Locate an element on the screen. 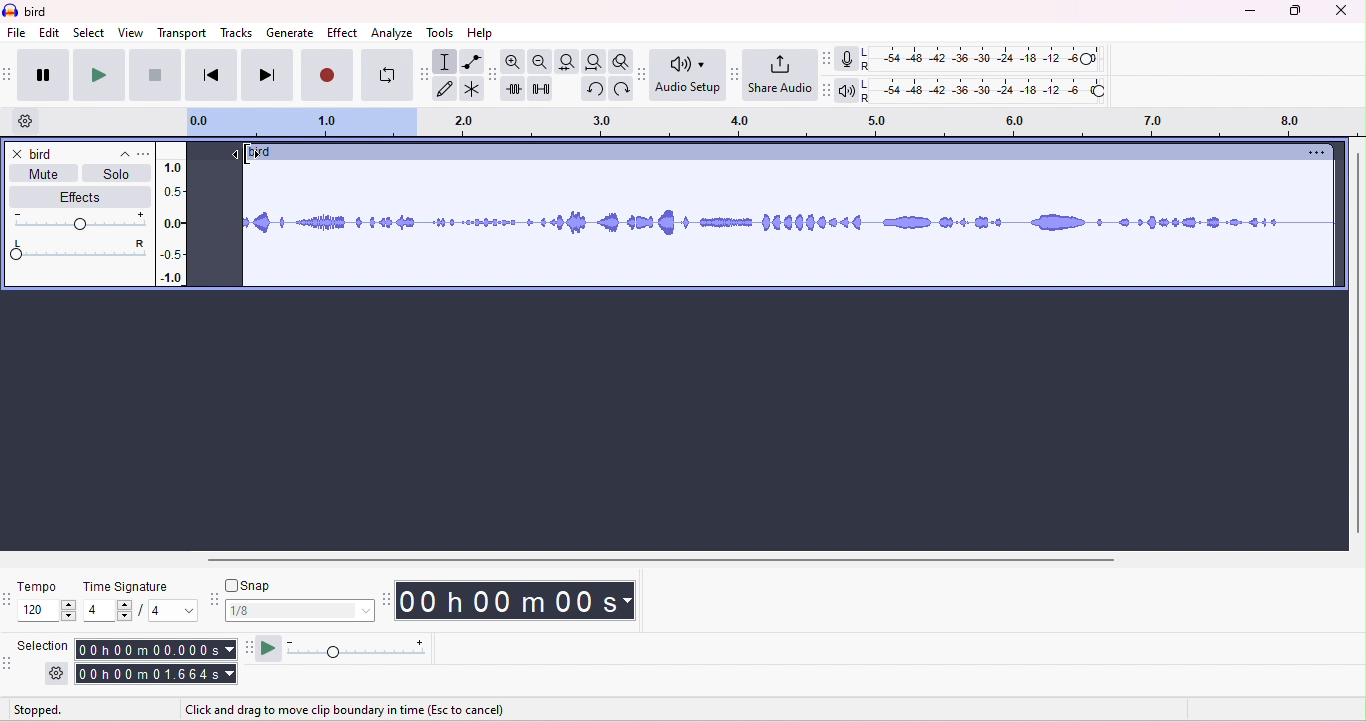 The width and height of the screenshot is (1366, 722). snap is located at coordinates (254, 585).